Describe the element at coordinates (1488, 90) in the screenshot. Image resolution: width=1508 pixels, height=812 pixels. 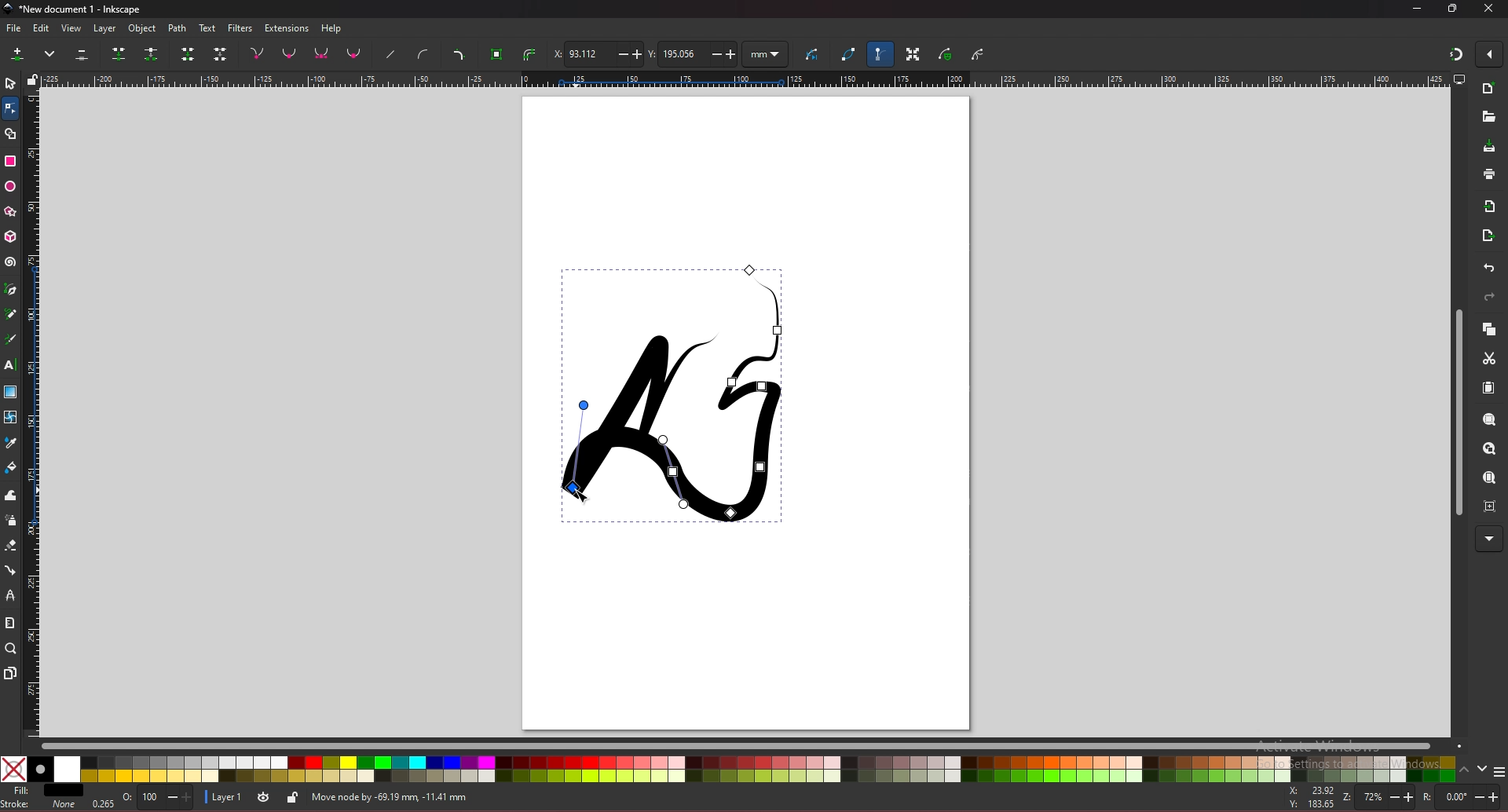
I see `new` at that location.